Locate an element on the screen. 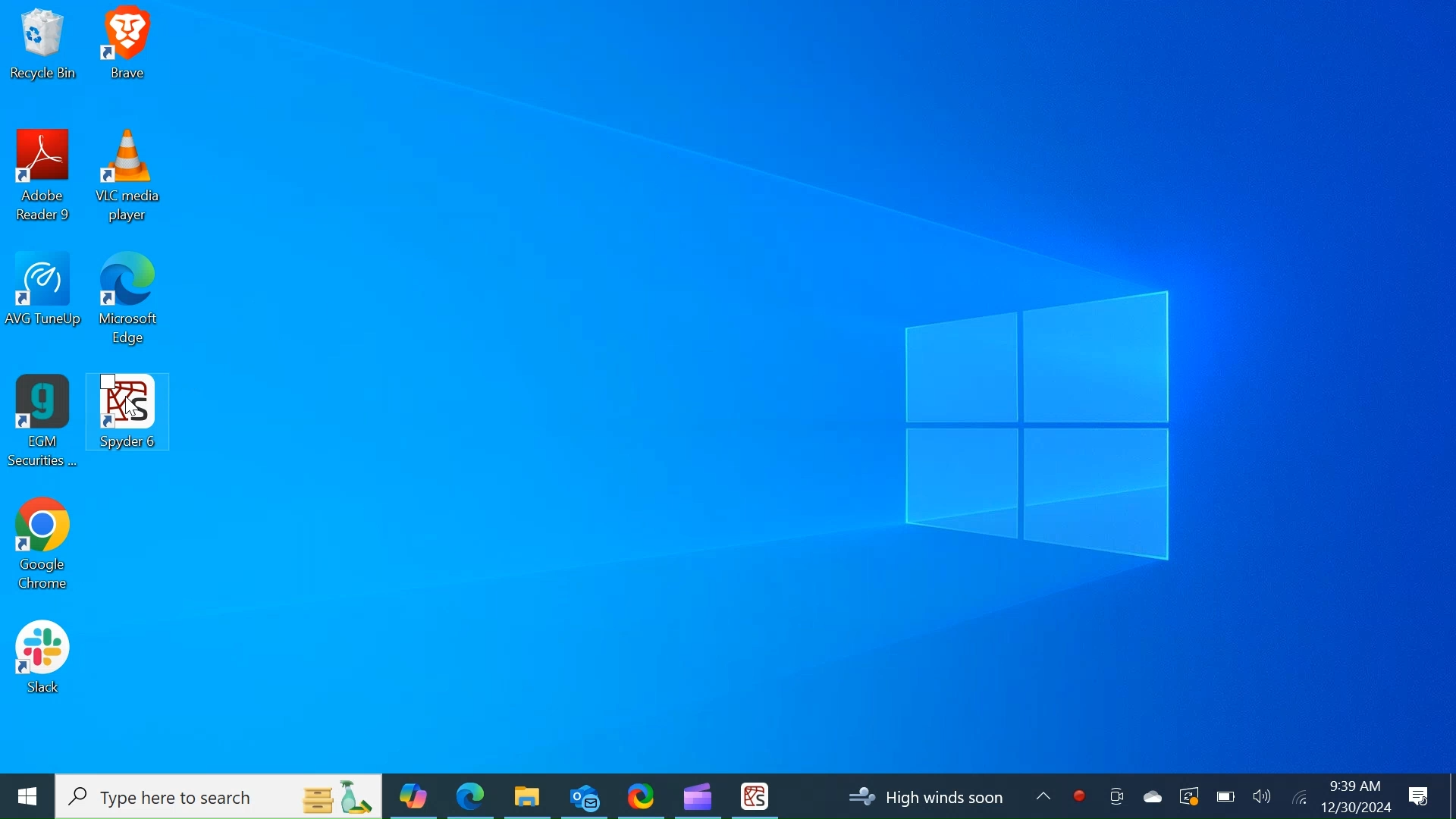  Microsoft Clipchamp is located at coordinates (697, 795).